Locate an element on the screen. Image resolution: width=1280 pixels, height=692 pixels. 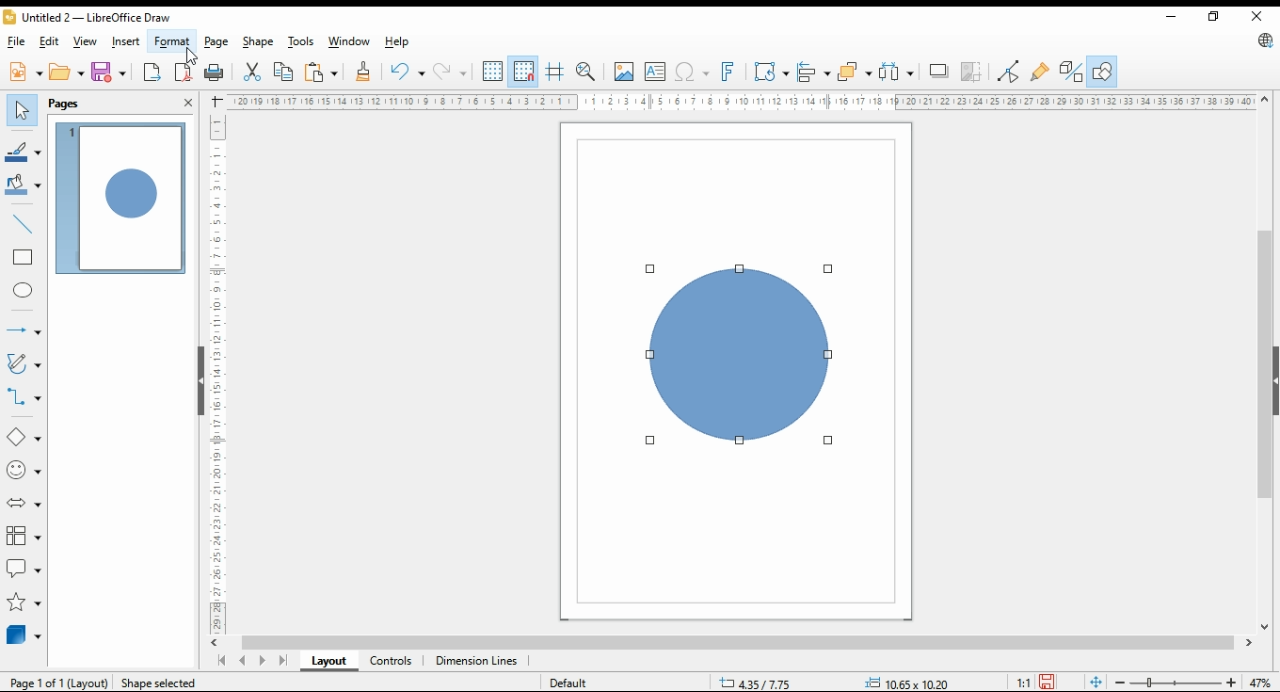
export is located at coordinates (152, 72).